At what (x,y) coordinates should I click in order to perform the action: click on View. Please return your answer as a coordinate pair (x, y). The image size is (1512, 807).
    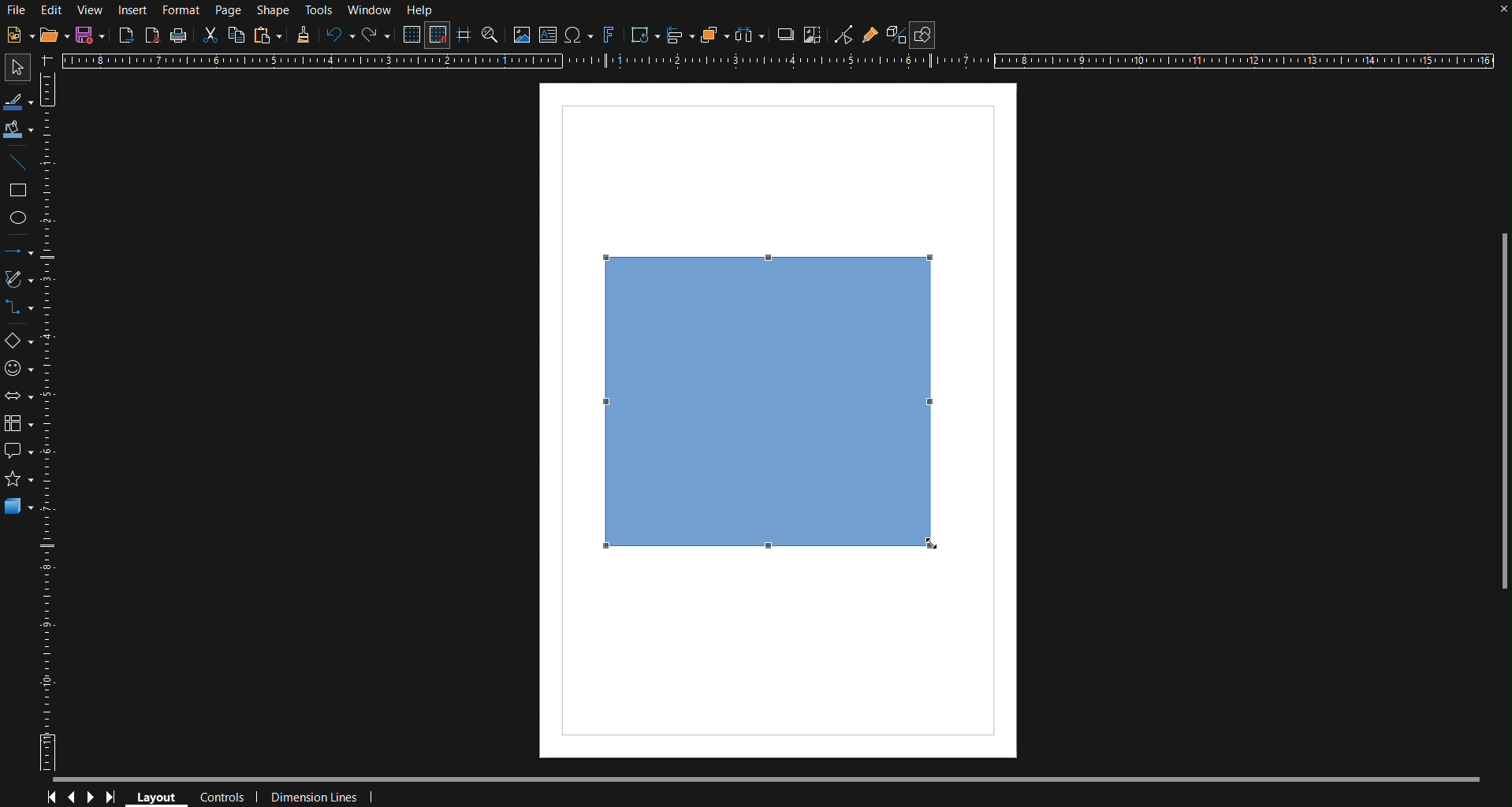
    Looking at the image, I should click on (89, 11).